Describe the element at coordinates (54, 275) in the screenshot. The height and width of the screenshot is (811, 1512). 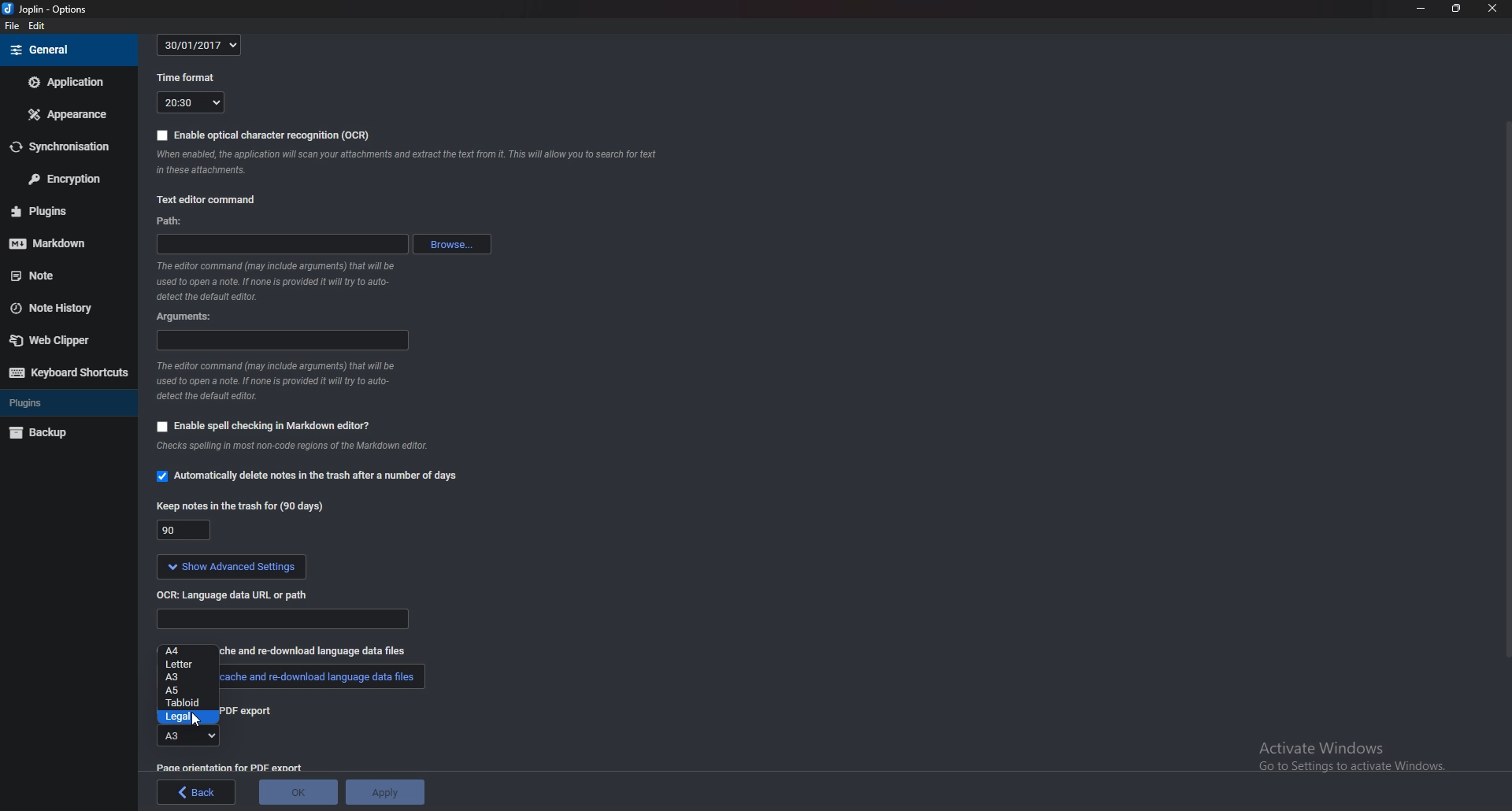
I see `note` at that location.